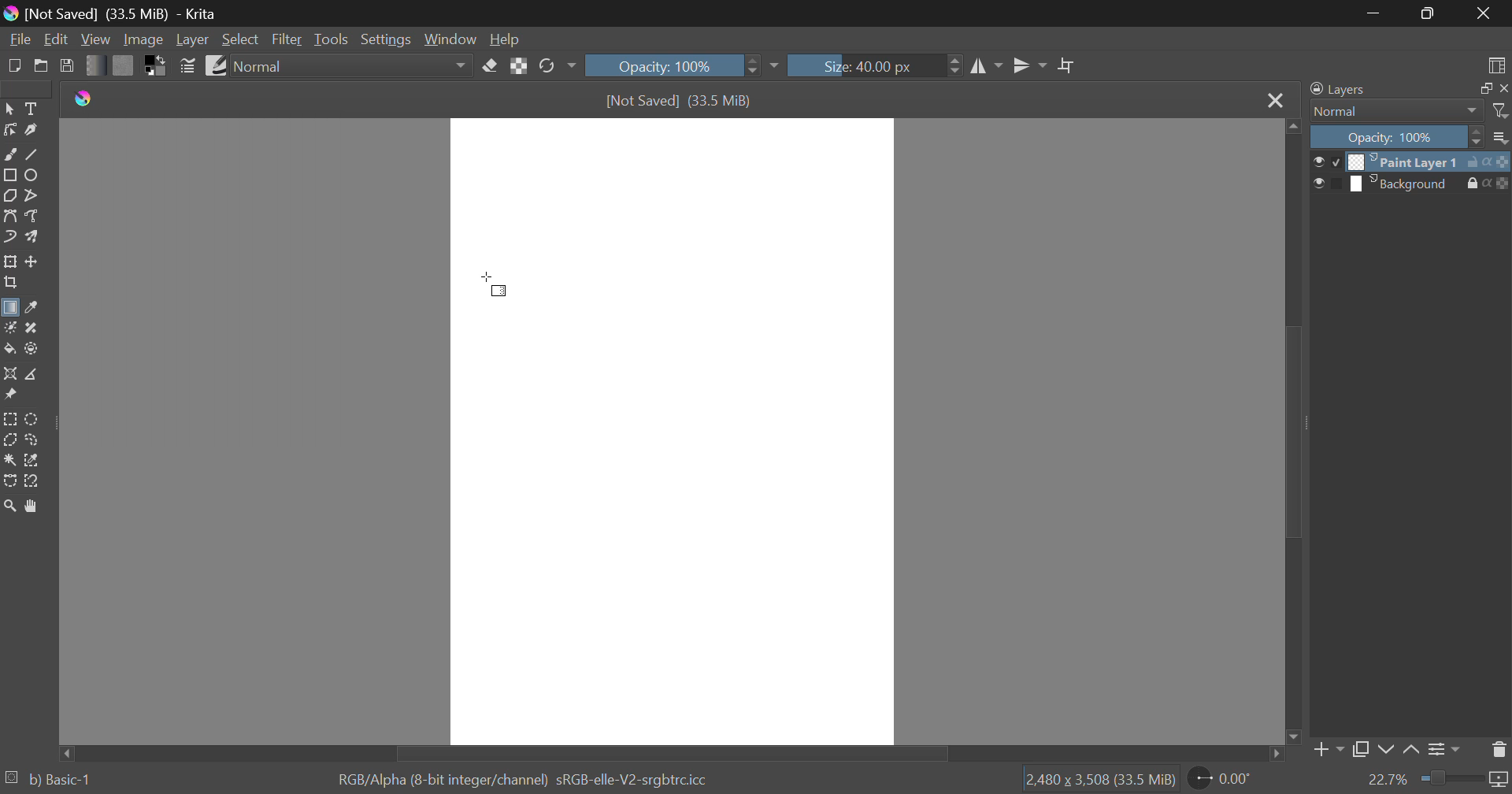  I want to click on Close, so click(1274, 100).